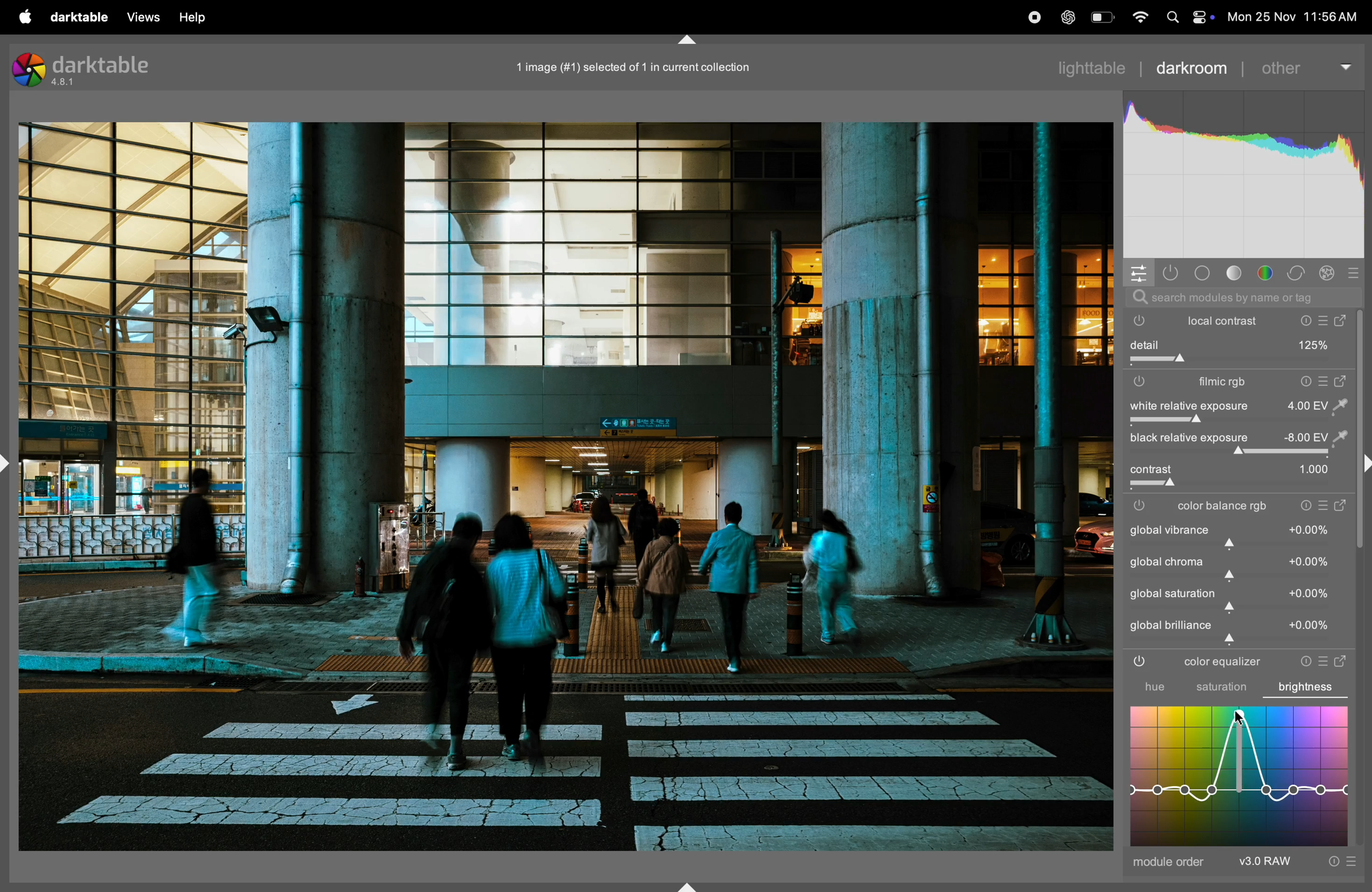 The height and width of the screenshot is (892, 1372). What do you see at coordinates (1186, 406) in the screenshot?
I see `white relavtive exposure` at bounding box center [1186, 406].